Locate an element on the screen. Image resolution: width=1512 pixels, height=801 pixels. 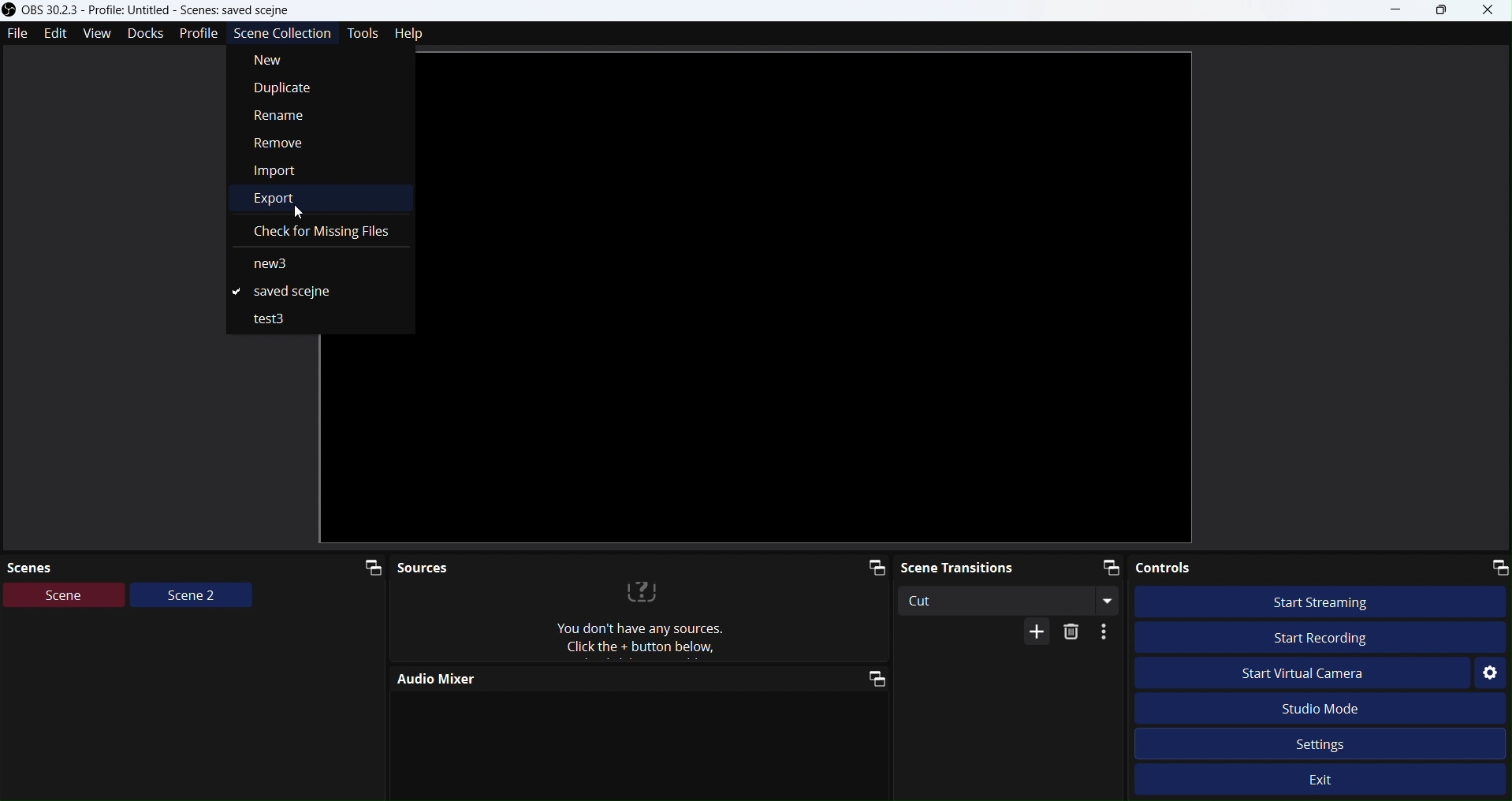
Scene is located at coordinates (65, 595).